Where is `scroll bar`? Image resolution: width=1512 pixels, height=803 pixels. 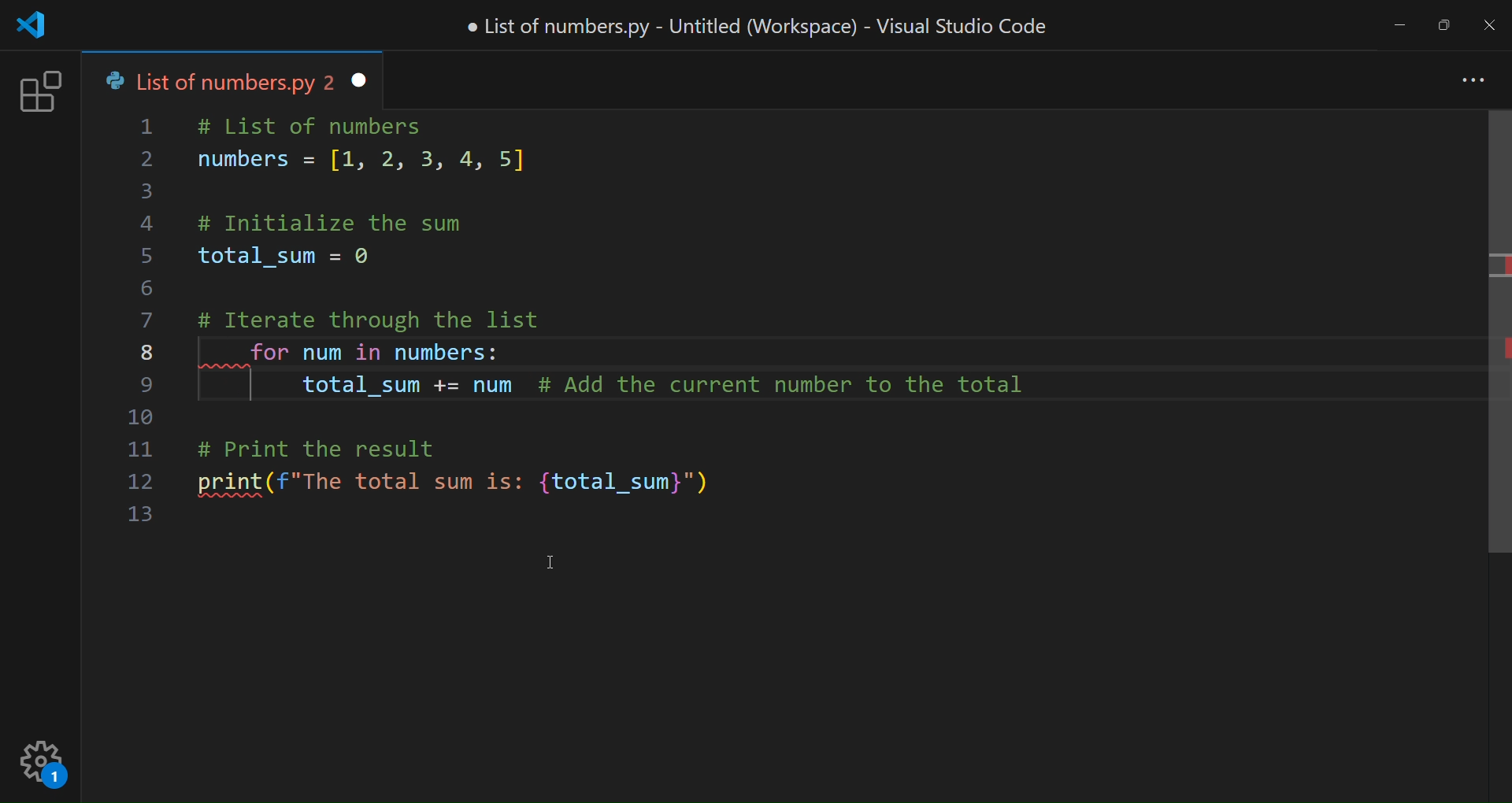 scroll bar is located at coordinates (1488, 342).